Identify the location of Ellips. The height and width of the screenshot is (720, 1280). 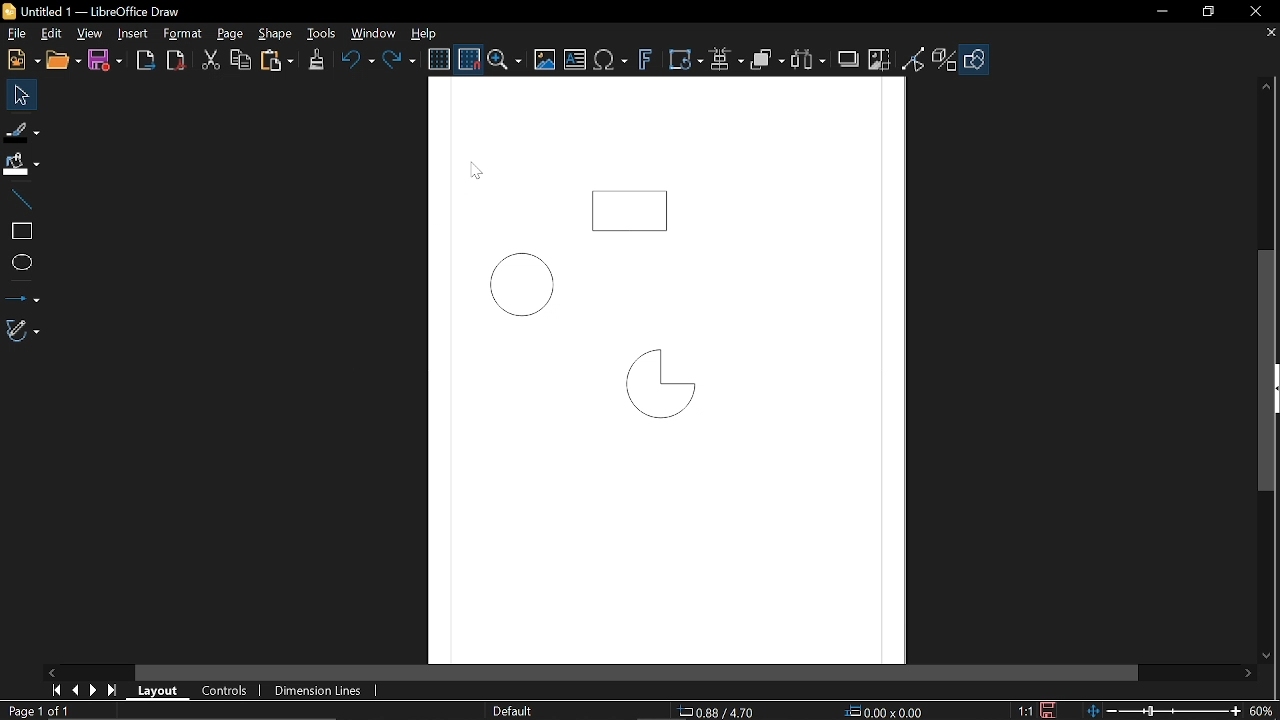
(20, 262).